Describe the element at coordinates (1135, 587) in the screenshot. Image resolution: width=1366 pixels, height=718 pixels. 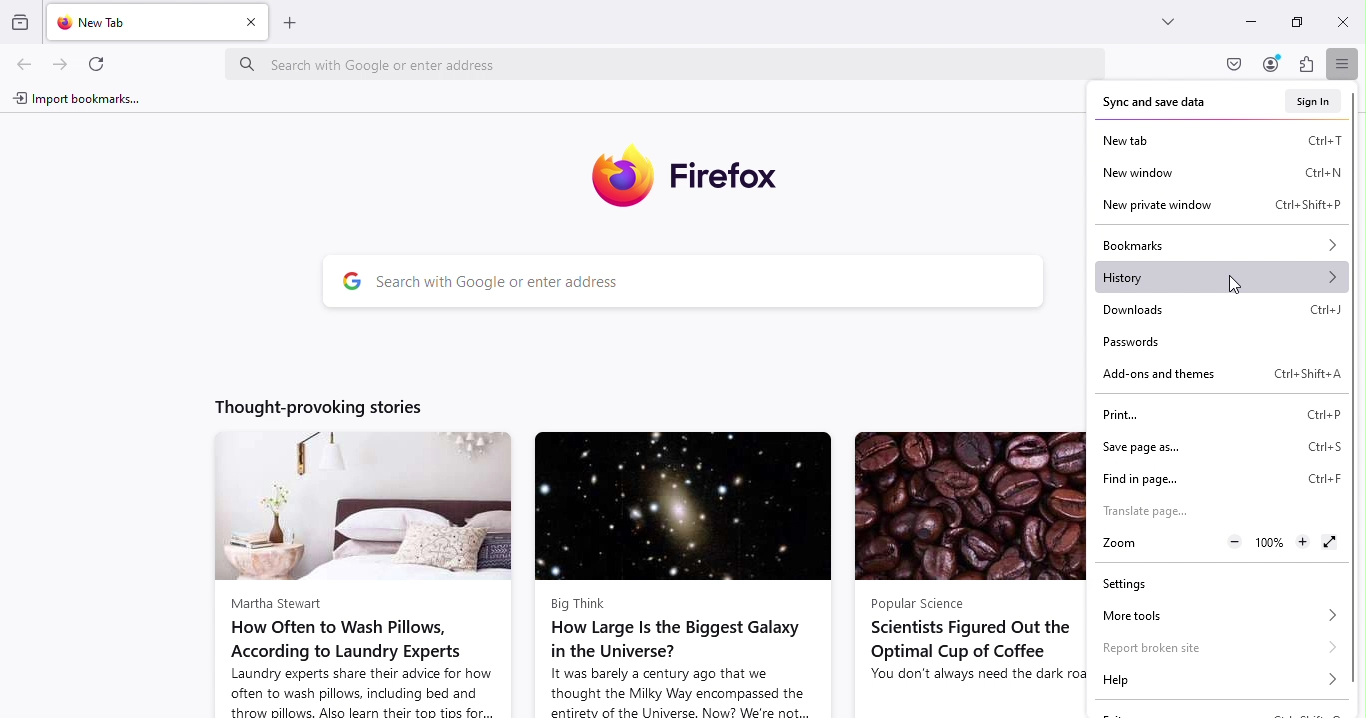
I see `Settings` at that location.